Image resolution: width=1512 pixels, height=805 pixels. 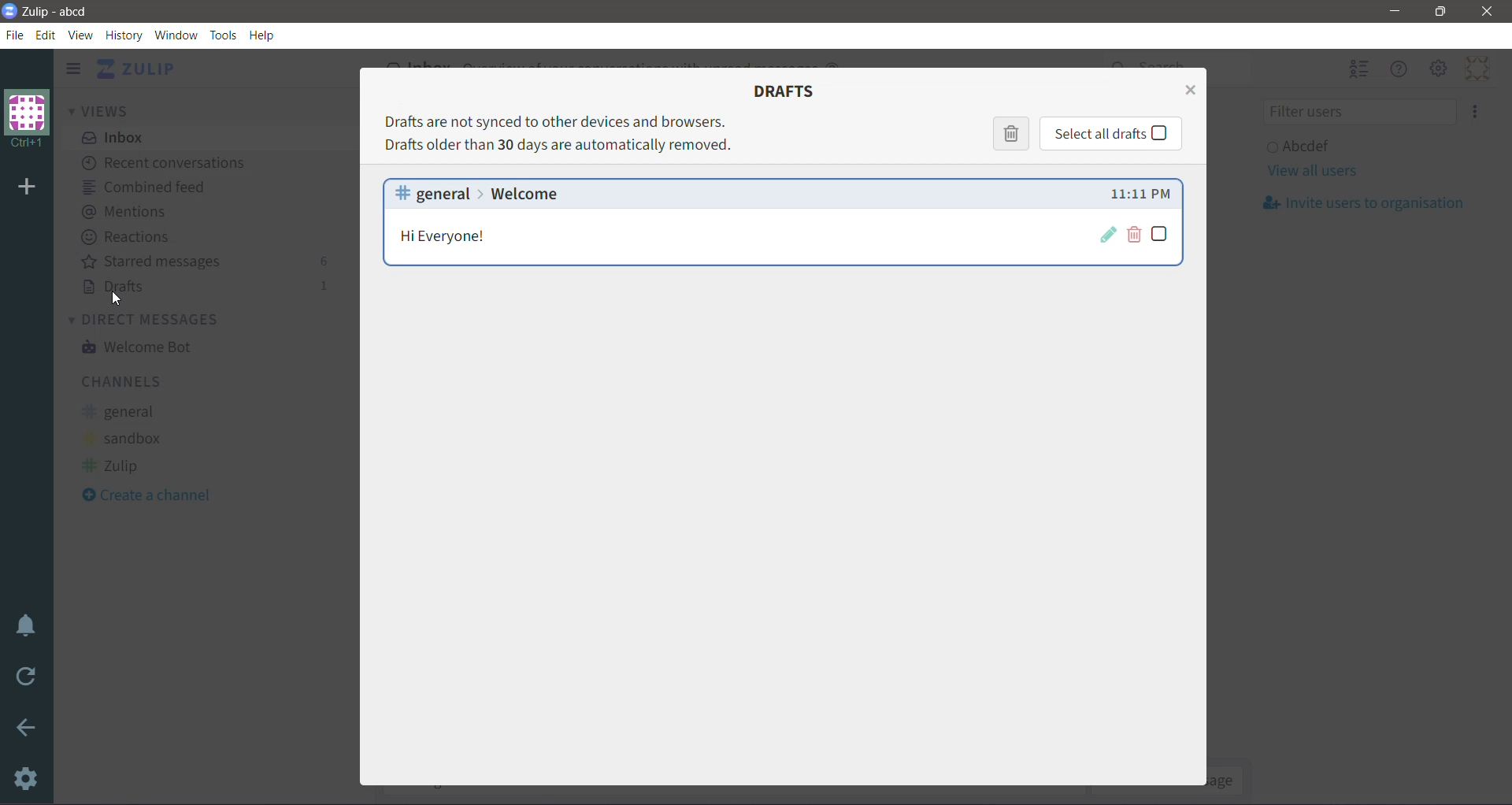 I want to click on Personal Menu, so click(x=1477, y=69).